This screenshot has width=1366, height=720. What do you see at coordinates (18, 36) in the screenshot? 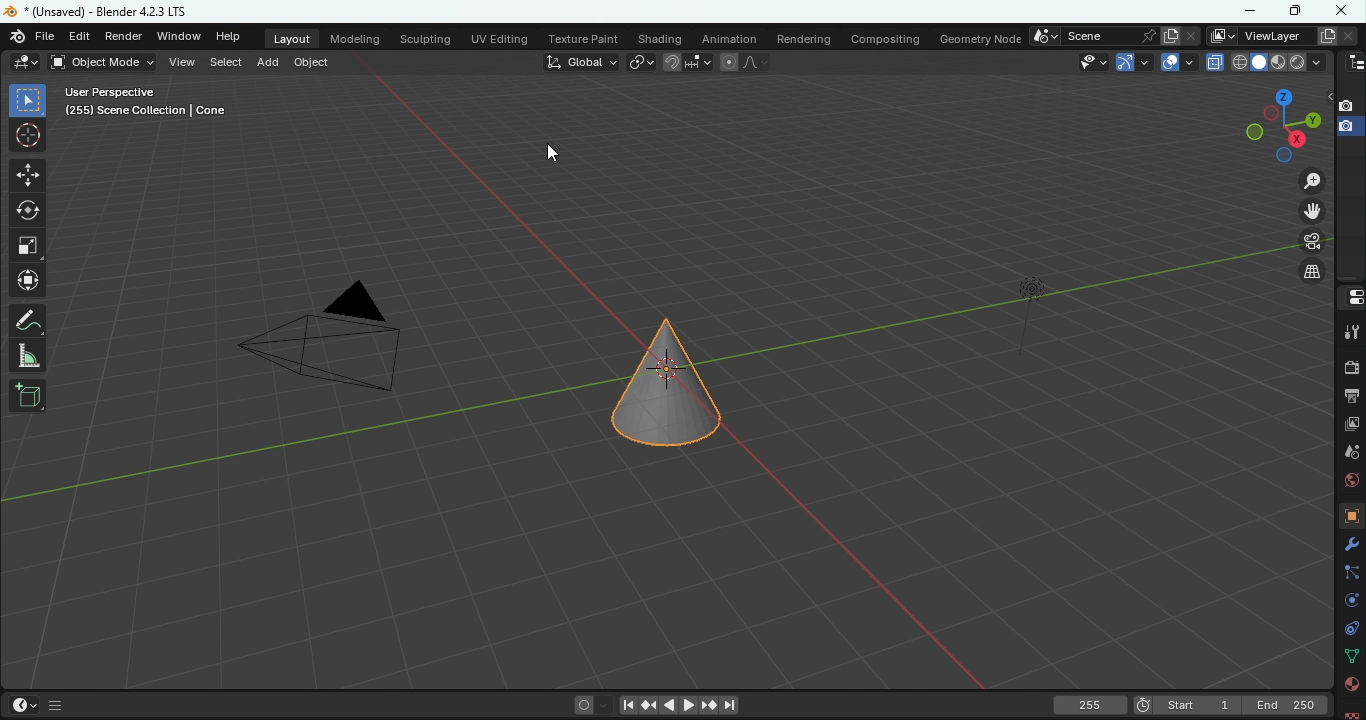
I see `Blender icon` at bounding box center [18, 36].